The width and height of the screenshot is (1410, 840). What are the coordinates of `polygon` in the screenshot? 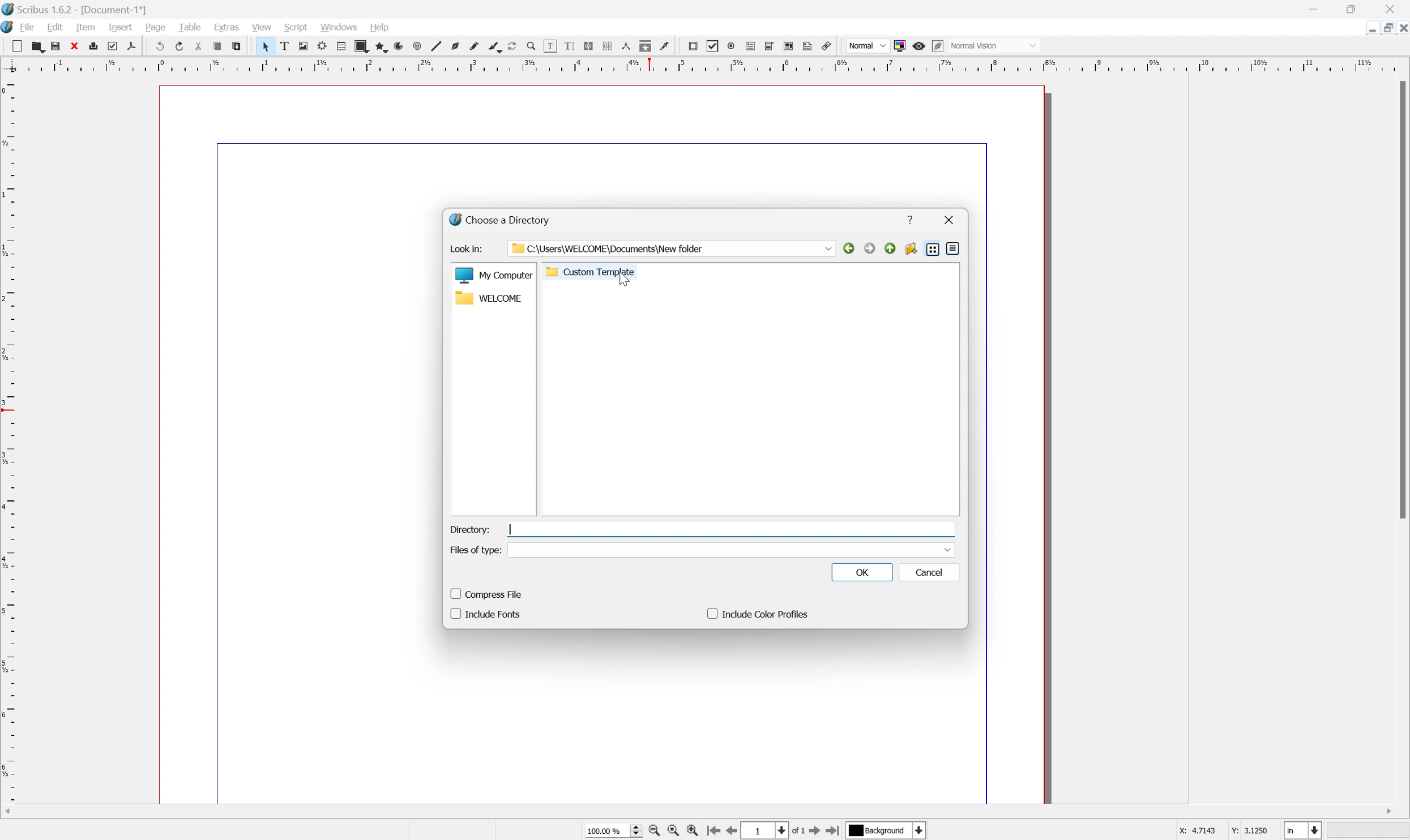 It's located at (380, 45).